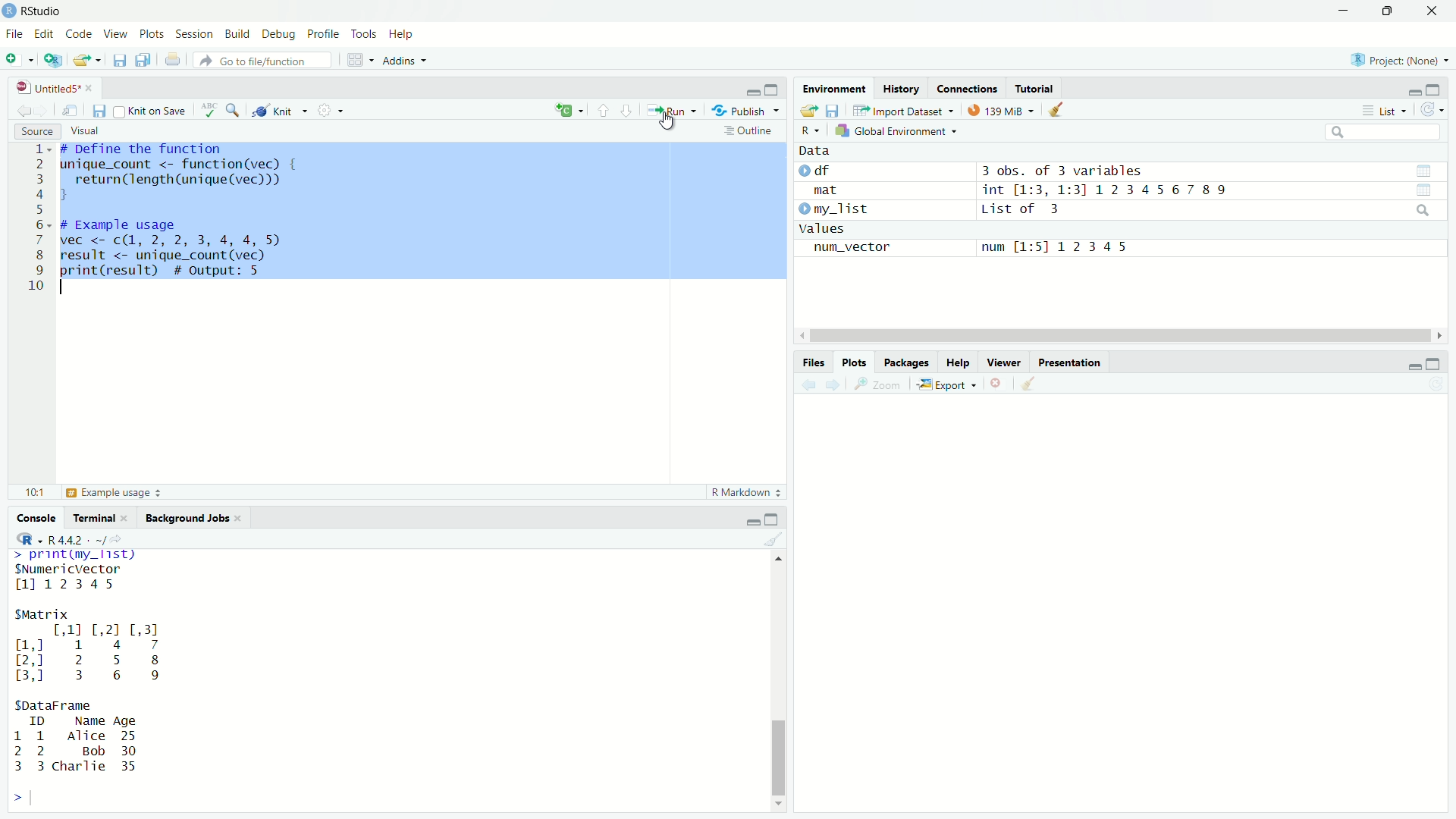  Describe the element at coordinates (37, 219) in the screenshot. I see `line numbers` at that location.